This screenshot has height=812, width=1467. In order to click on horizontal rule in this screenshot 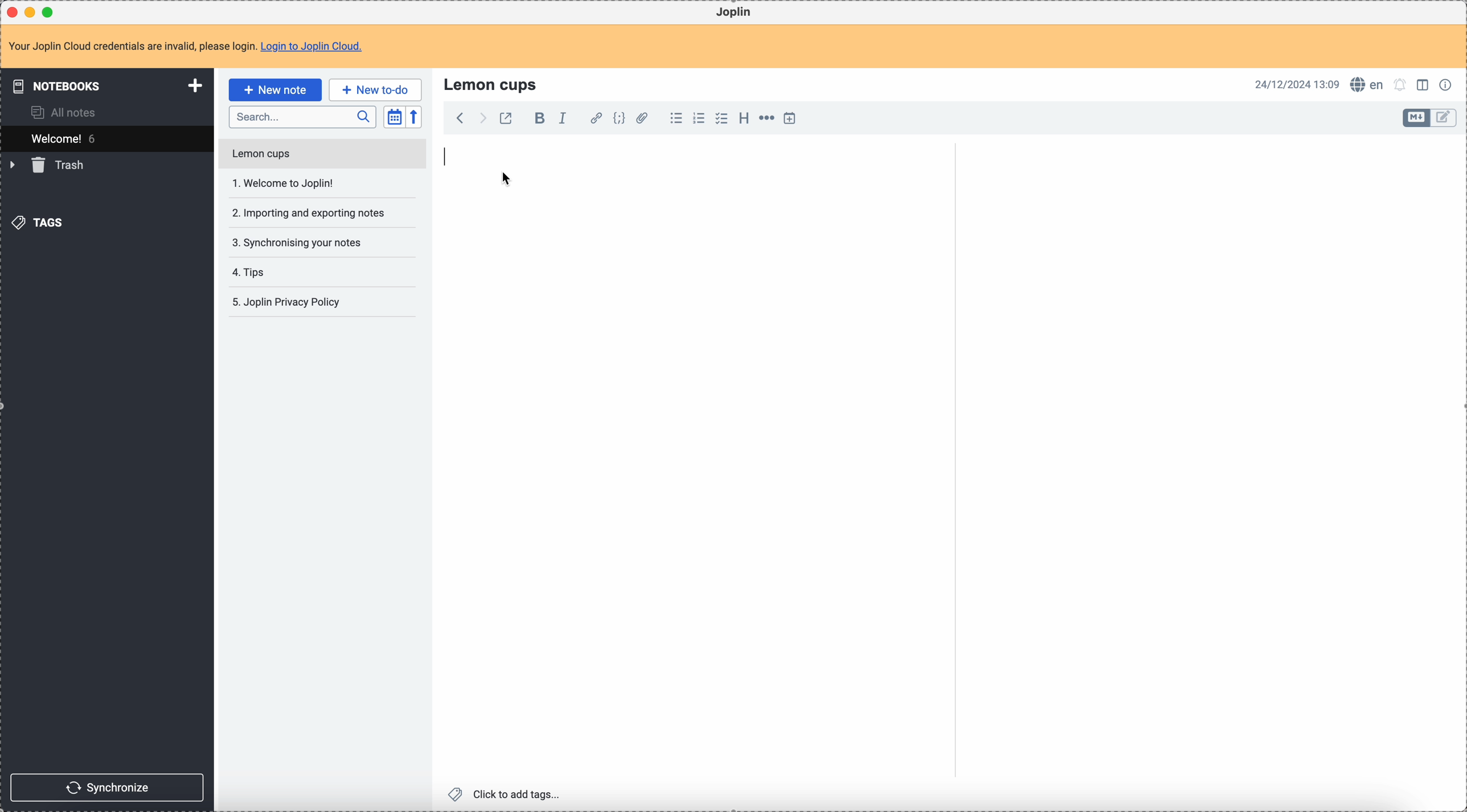, I will do `click(765, 120)`.